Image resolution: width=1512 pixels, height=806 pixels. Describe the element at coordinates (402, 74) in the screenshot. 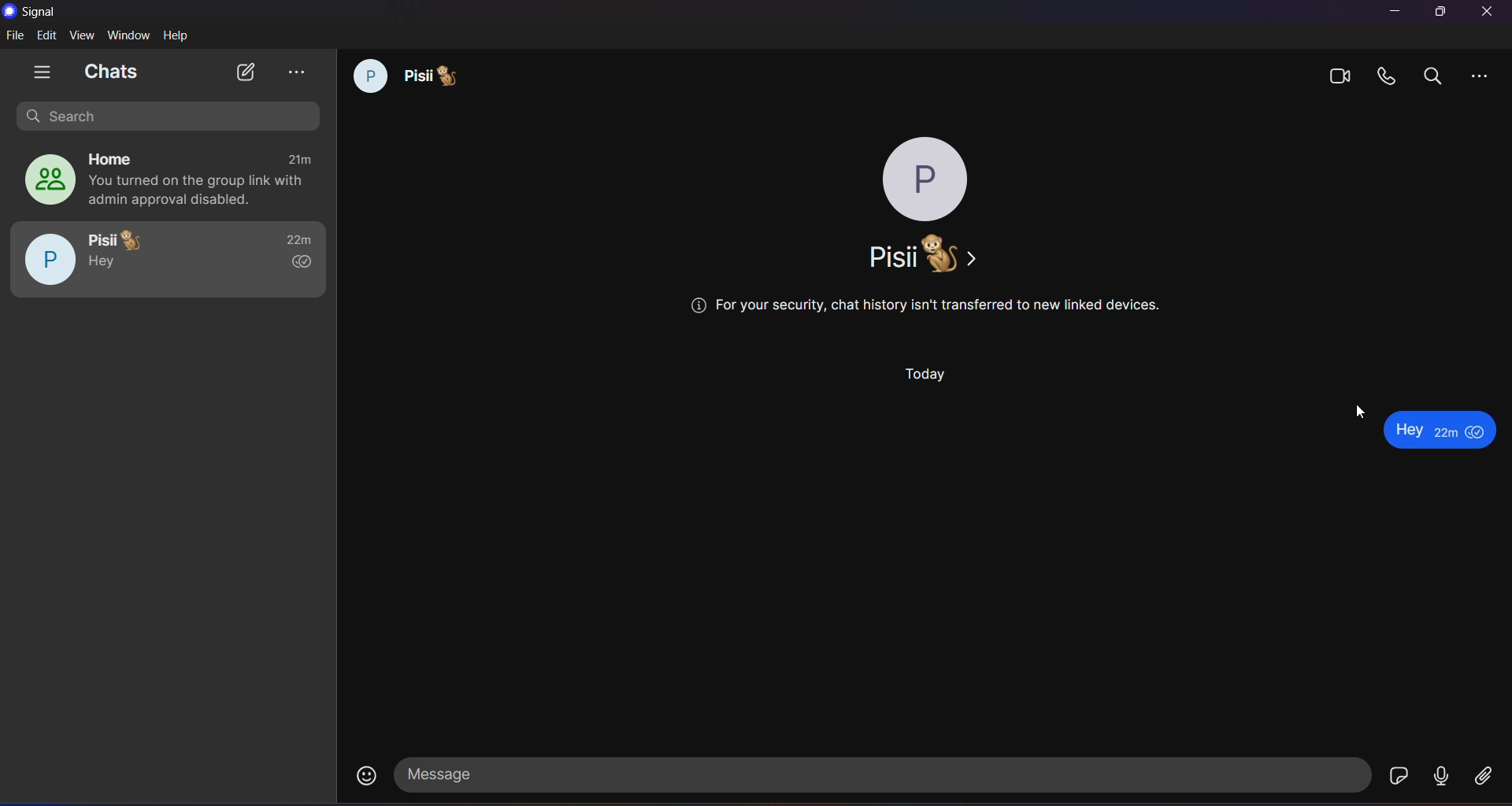

I see `chat` at that location.